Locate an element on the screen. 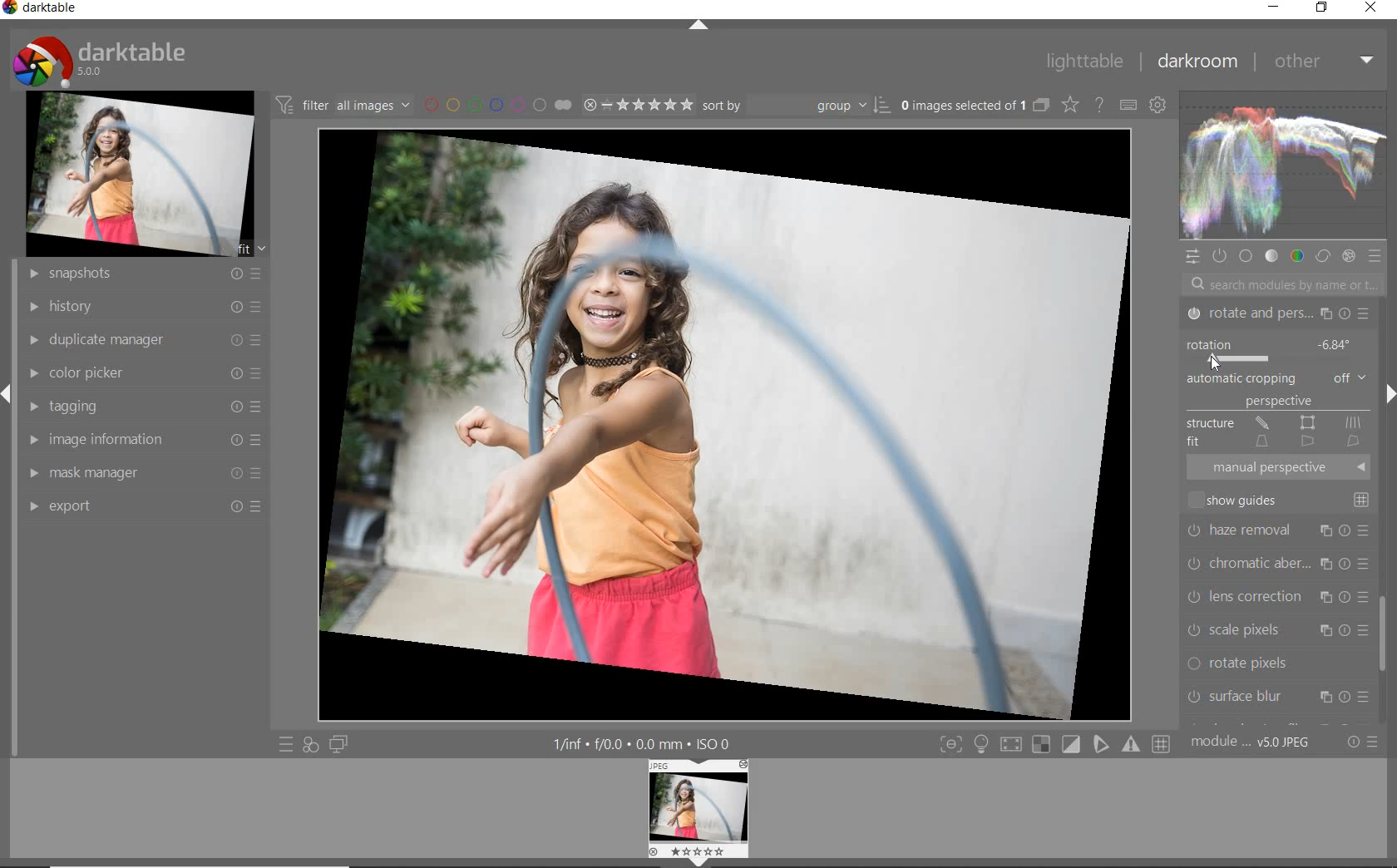 Image resolution: width=1397 pixels, height=868 pixels. scrollbar is located at coordinates (1385, 625).